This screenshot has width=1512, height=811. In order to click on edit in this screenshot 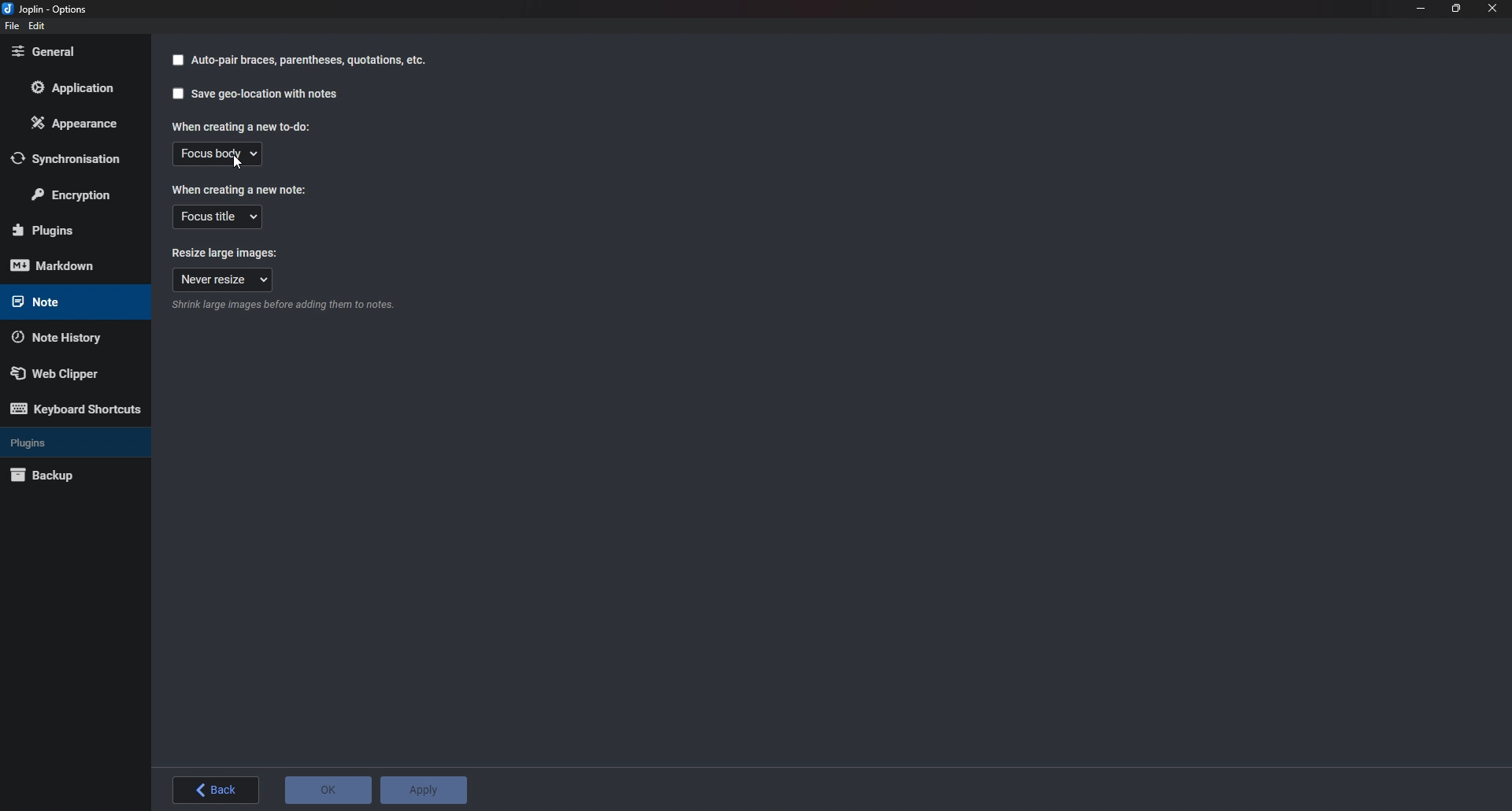, I will do `click(39, 26)`.